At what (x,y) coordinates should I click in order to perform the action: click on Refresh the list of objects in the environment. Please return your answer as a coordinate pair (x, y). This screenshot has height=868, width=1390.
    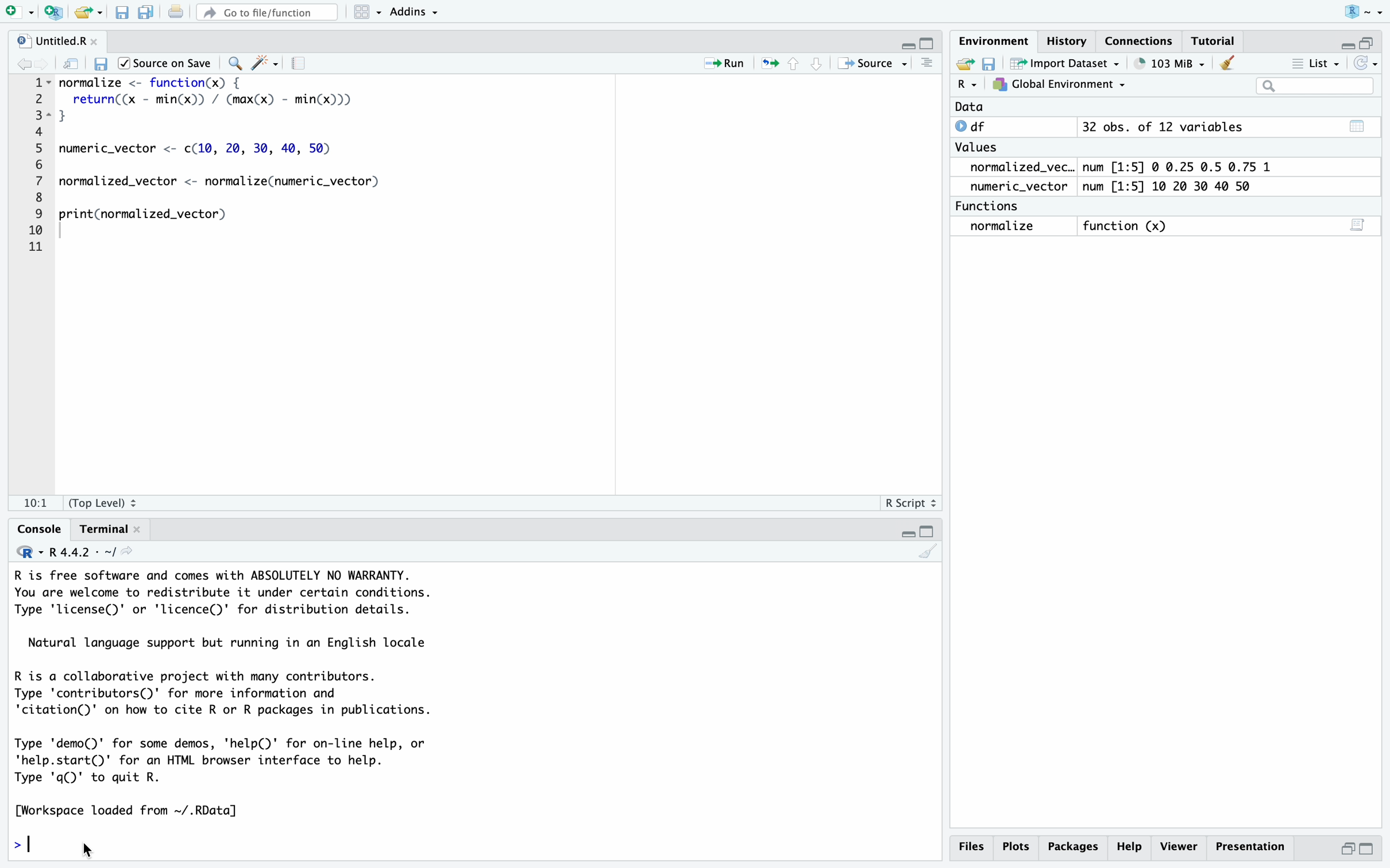
    Looking at the image, I should click on (1367, 63).